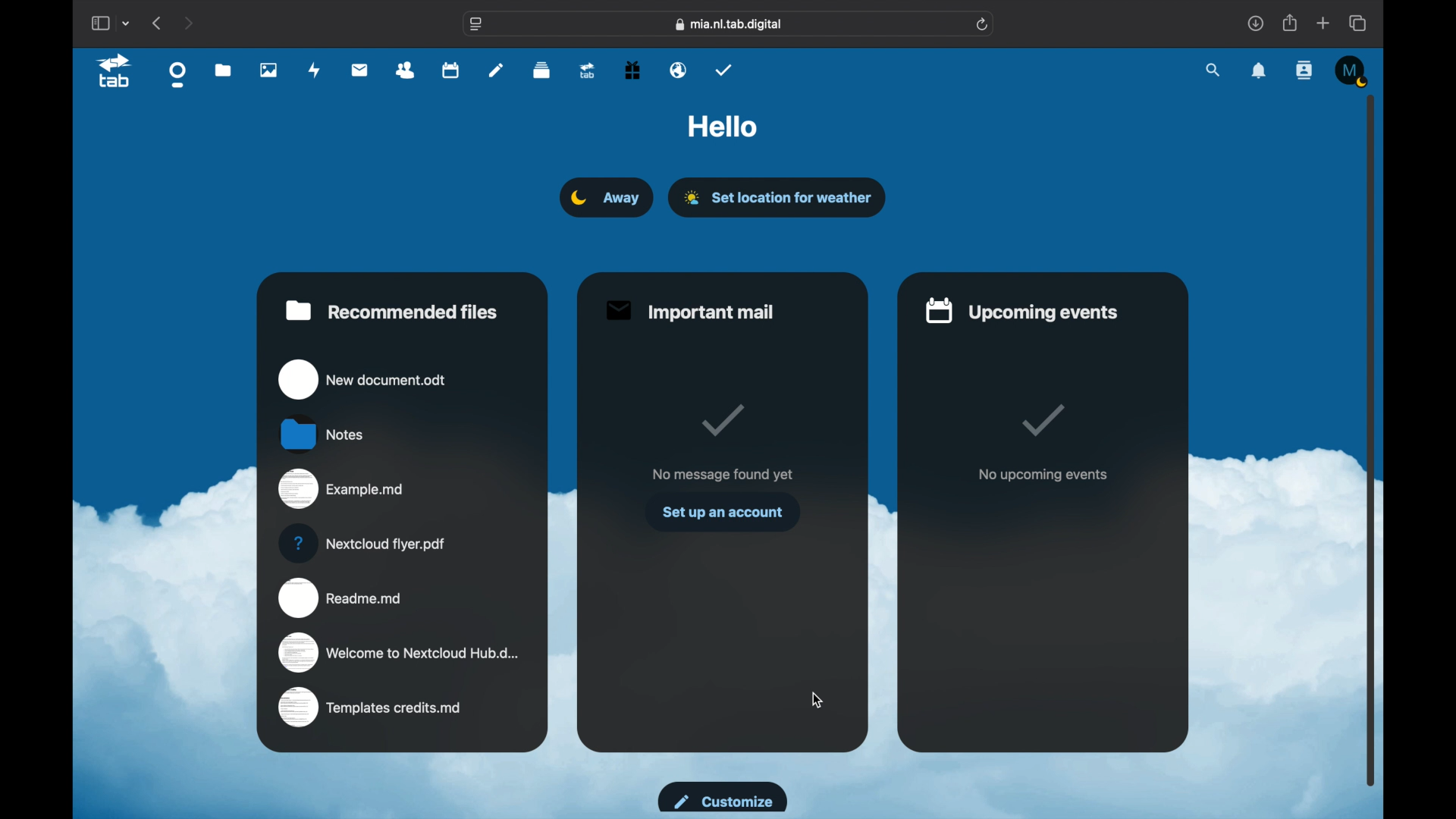  I want to click on tick mark, so click(725, 420).